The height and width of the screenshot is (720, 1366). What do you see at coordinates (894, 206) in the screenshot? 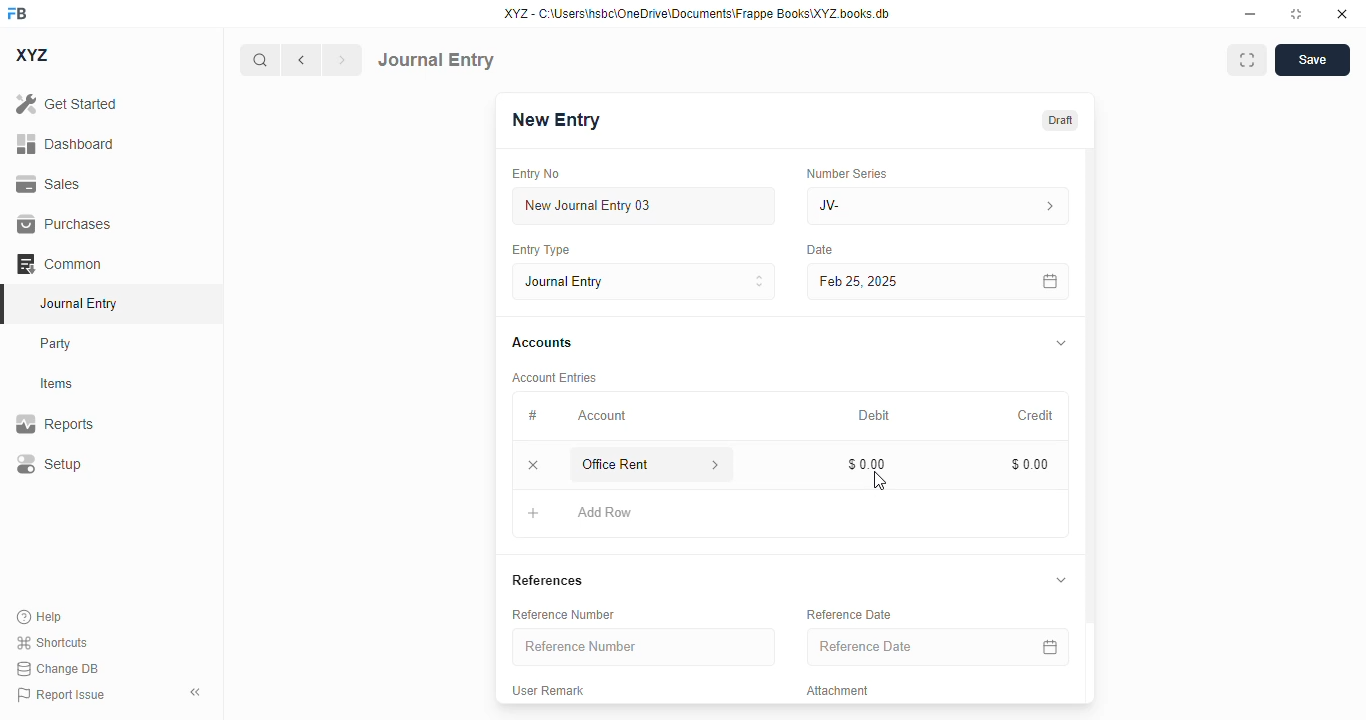
I see `JV-` at bounding box center [894, 206].